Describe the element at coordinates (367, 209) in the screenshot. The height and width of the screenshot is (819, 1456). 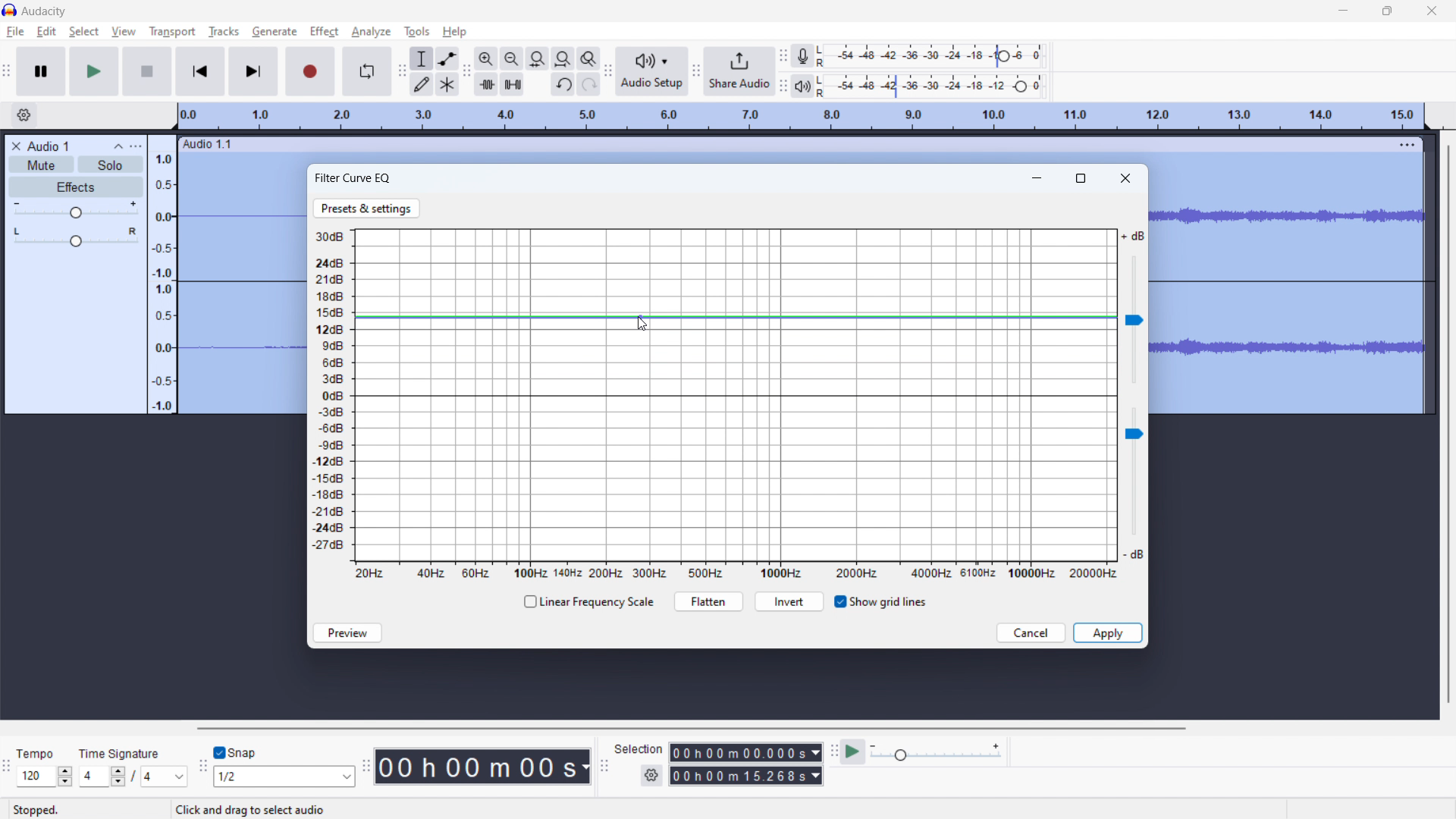
I see `presets & settings` at that location.